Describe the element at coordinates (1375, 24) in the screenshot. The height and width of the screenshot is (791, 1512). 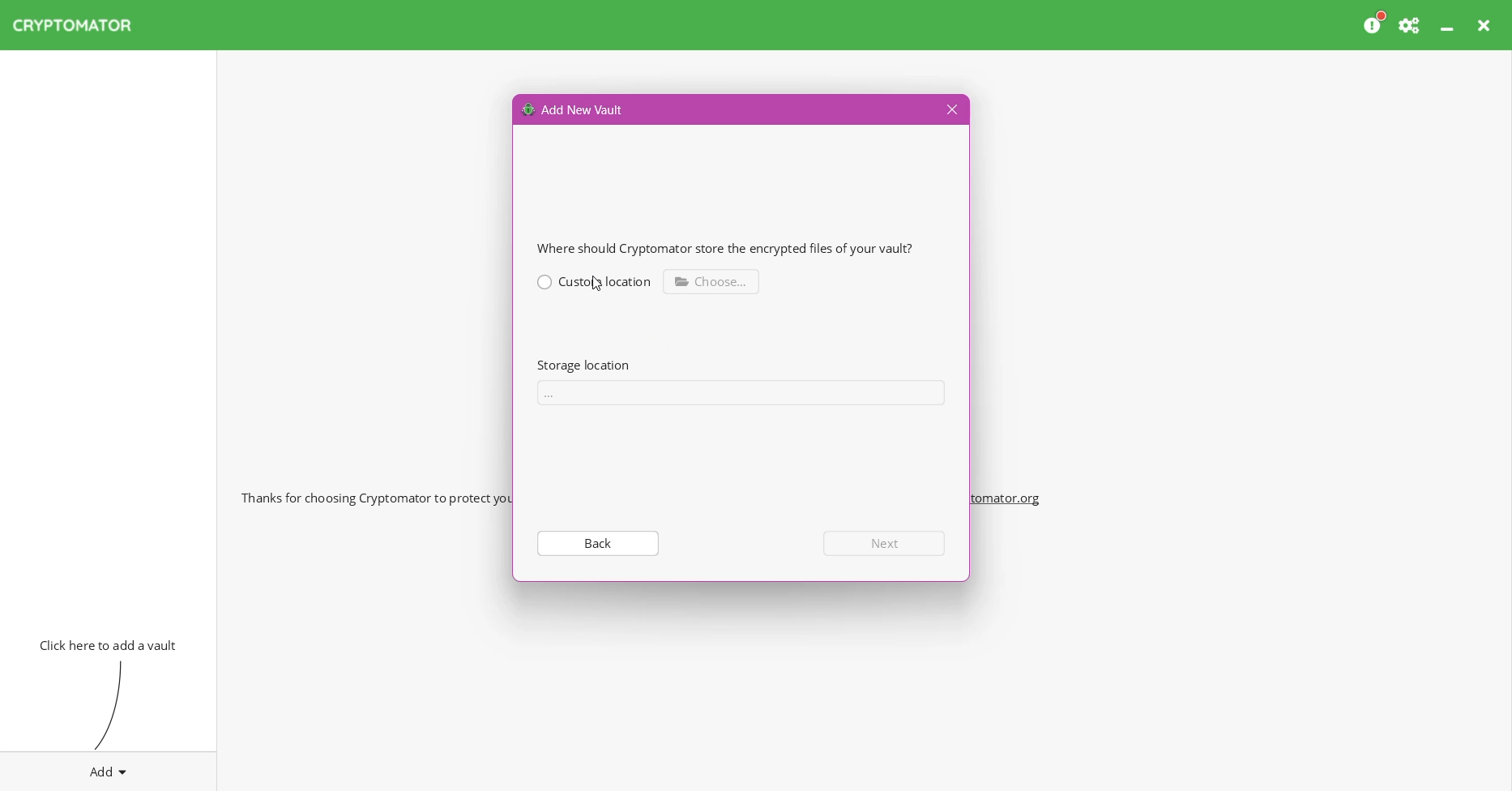
I see `Please consider donating` at that location.